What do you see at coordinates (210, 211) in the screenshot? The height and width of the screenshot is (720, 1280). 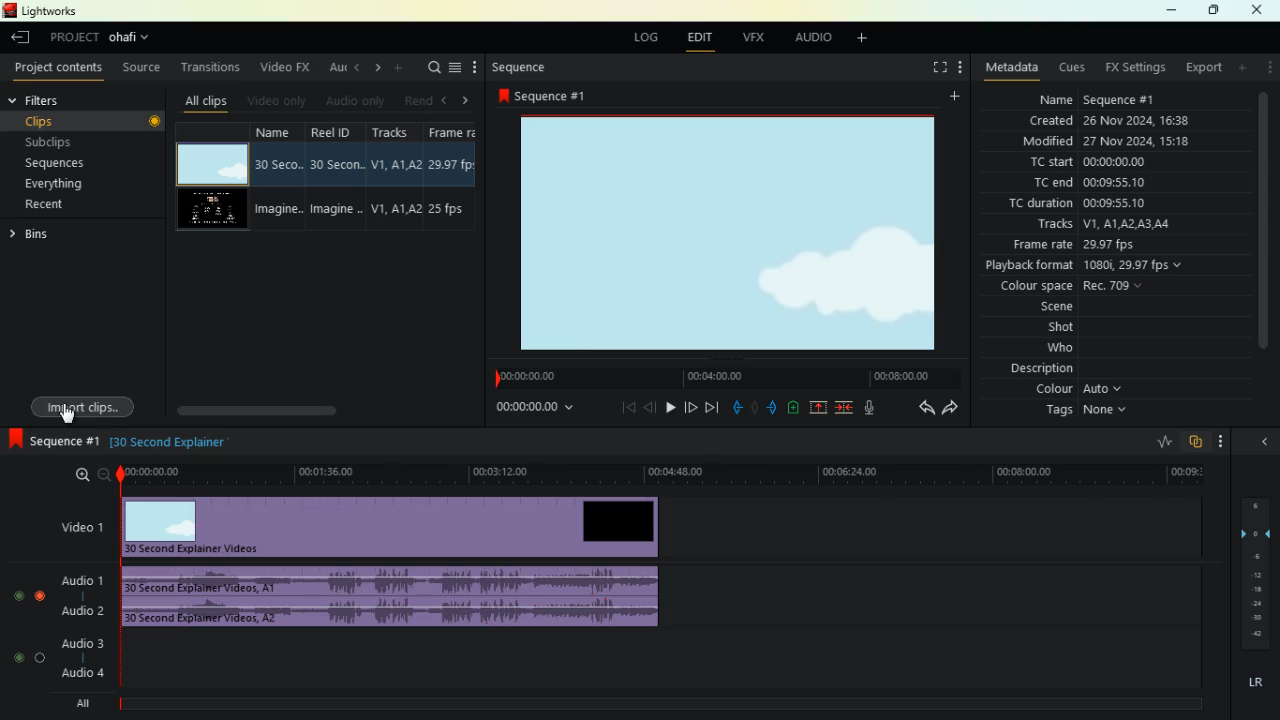 I see `video` at bounding box center [210, 211].